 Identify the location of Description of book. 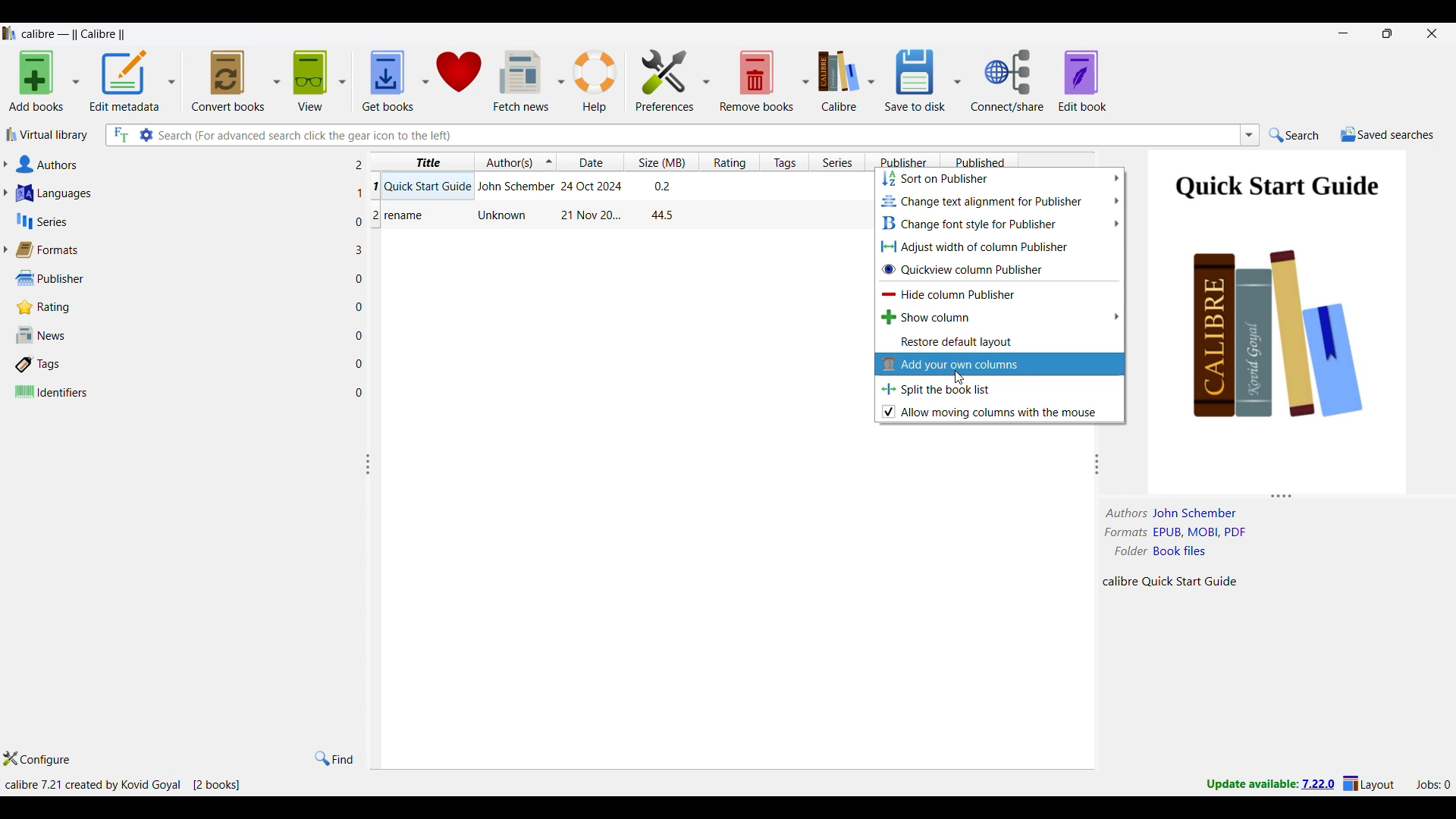
(1184, 581).